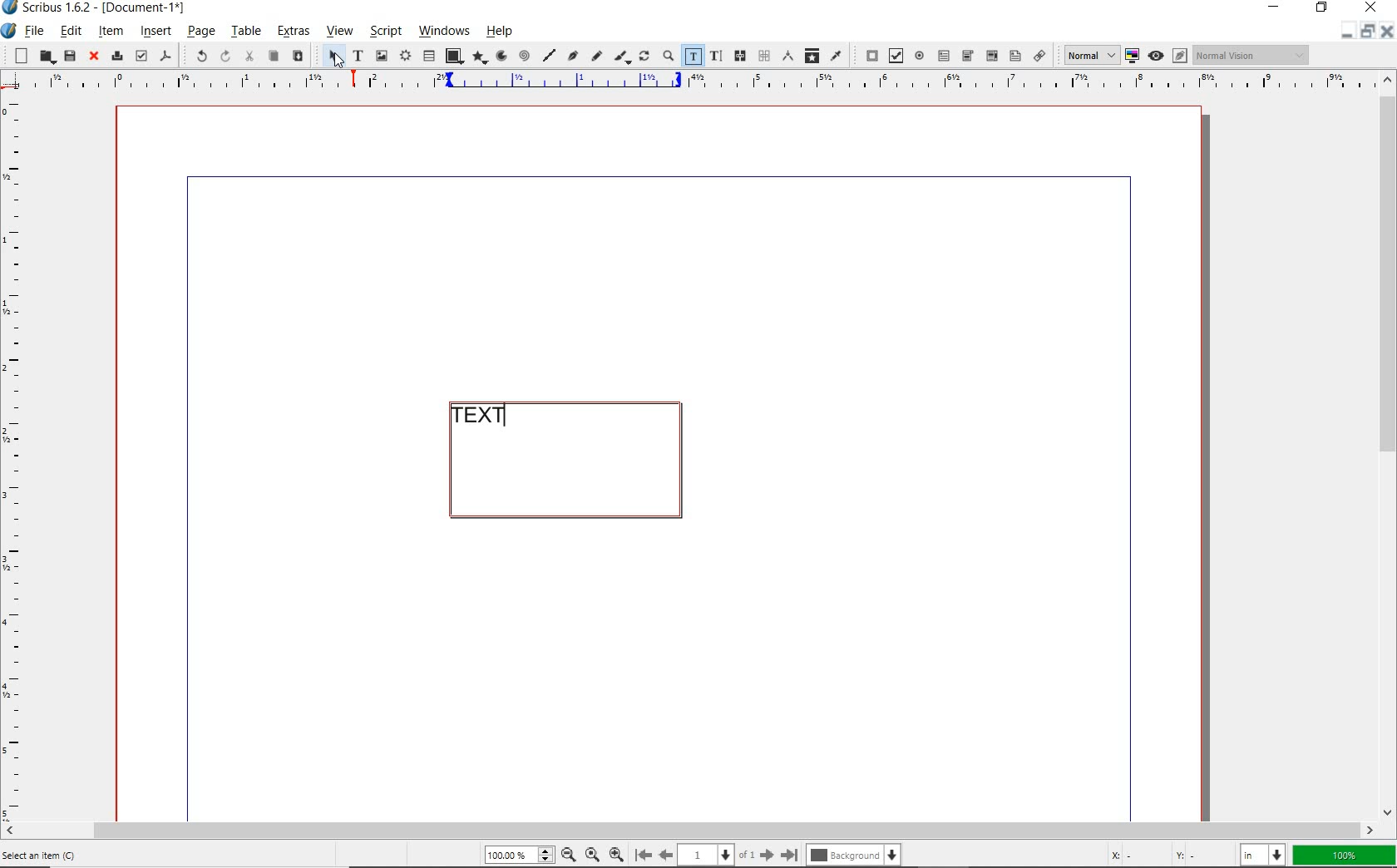  Describe the element at coordinates (698, 81) in the screenshot. I see `Horizontal Margins` at that location.